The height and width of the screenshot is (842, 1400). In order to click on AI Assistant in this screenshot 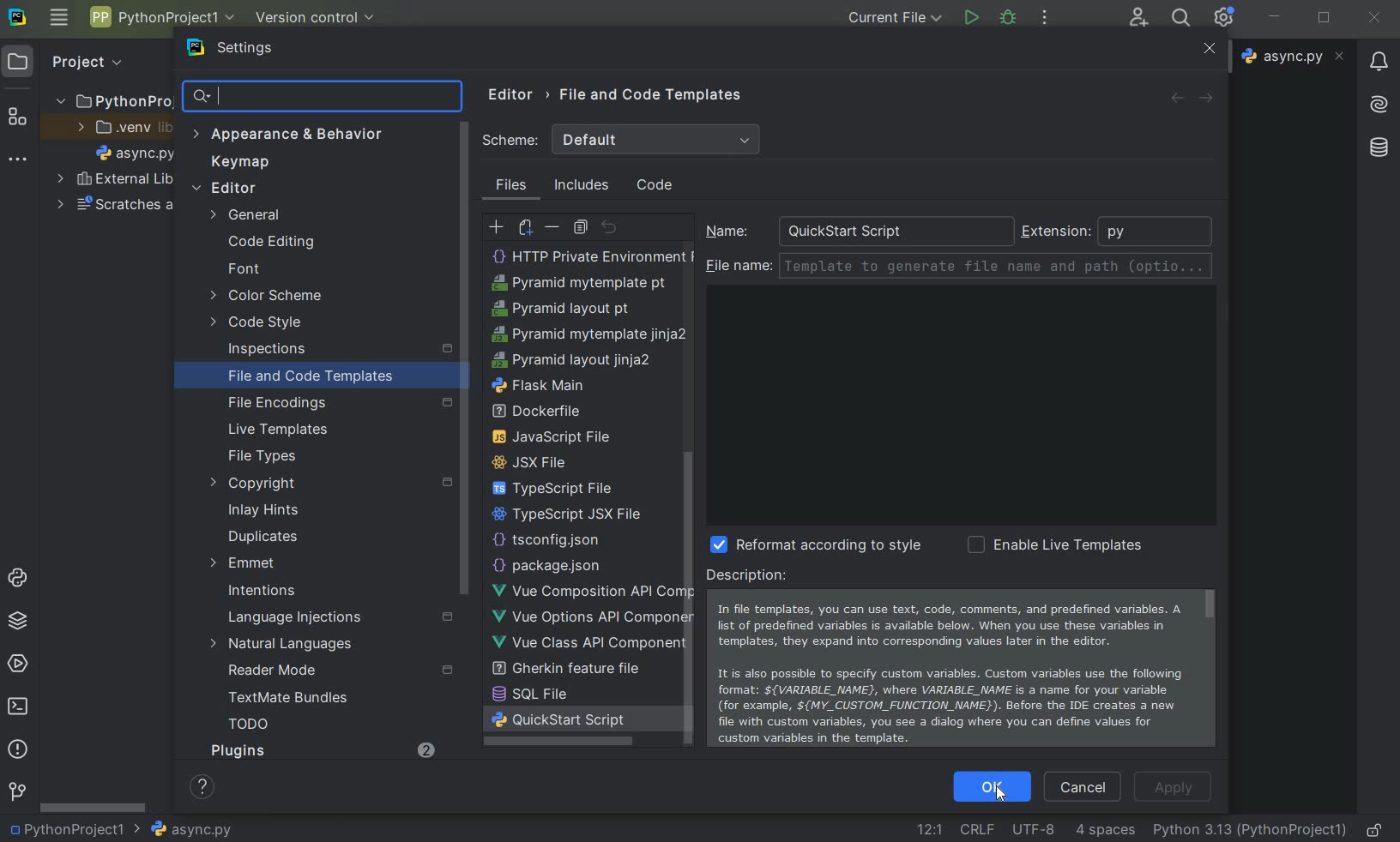, I will do `click(1374, 101)`.